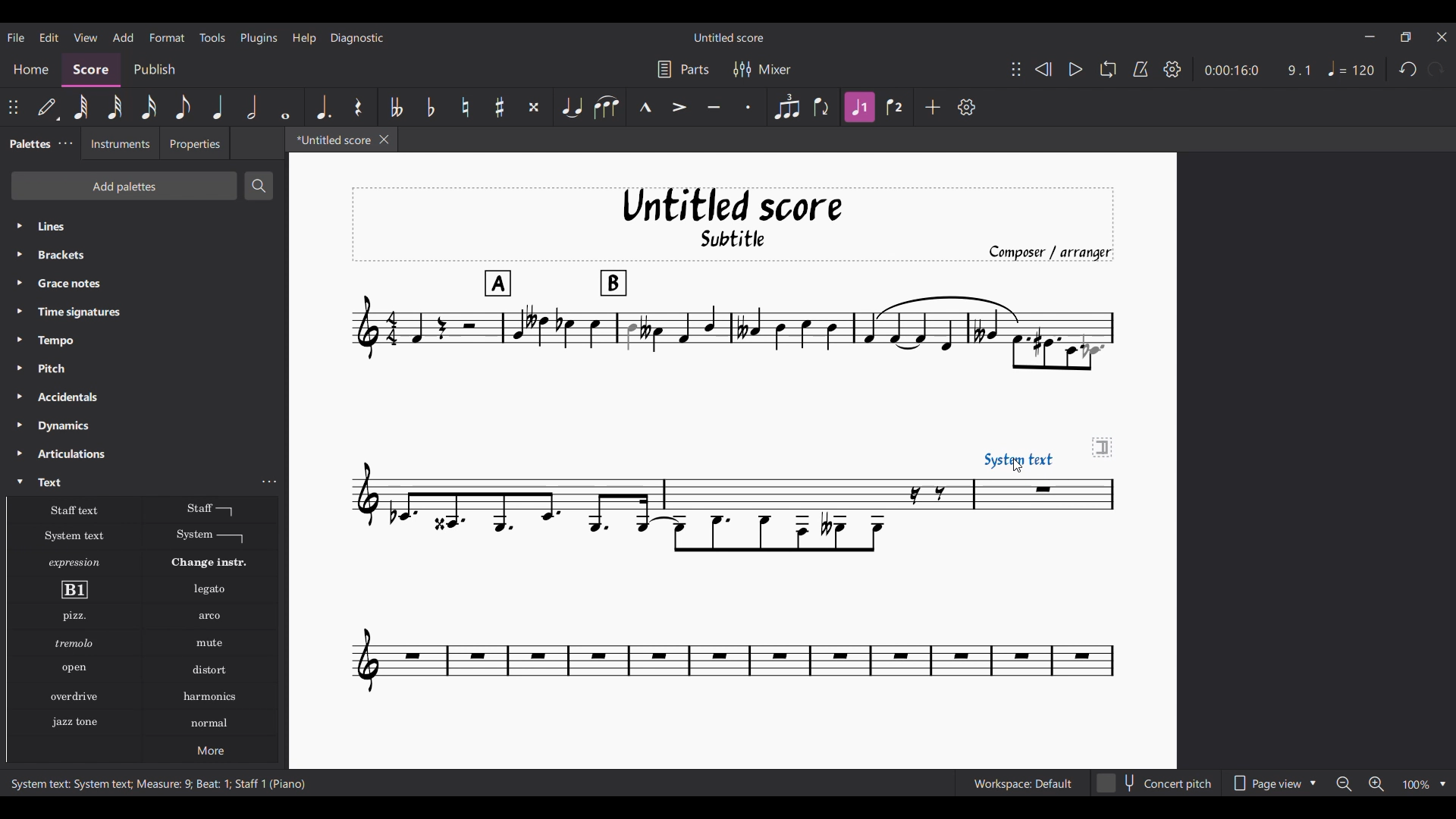 This screenshot has width=1456, height=819. What do you see at coordinates (1075, 69) in the screenshot?
I see `Play` at bounding box center [1075, 69].